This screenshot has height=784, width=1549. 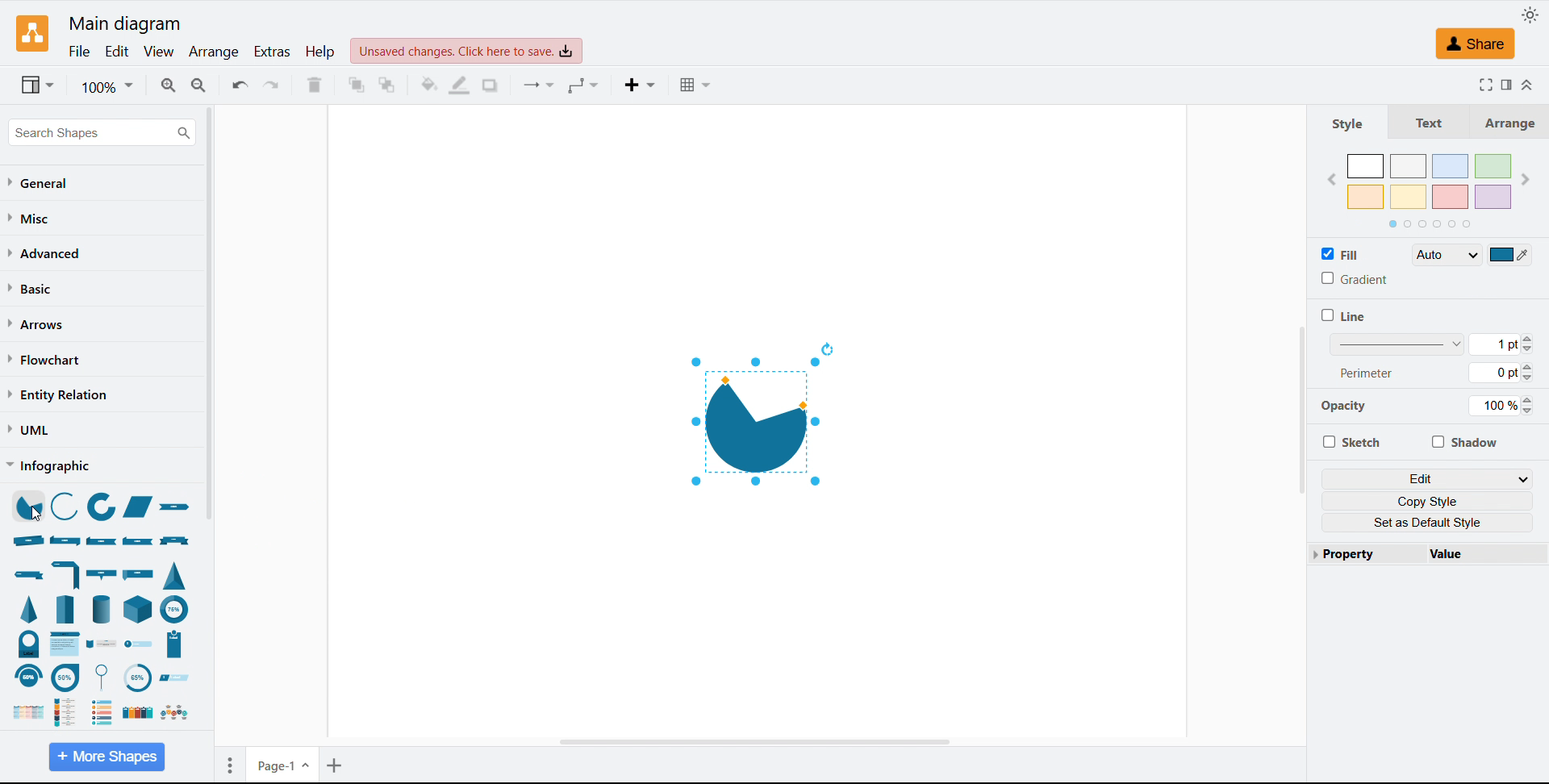 What do you see at coordinates (760, 422) in the screenshot?
I see `pie shape added  ` at bounding box center [760, 422].